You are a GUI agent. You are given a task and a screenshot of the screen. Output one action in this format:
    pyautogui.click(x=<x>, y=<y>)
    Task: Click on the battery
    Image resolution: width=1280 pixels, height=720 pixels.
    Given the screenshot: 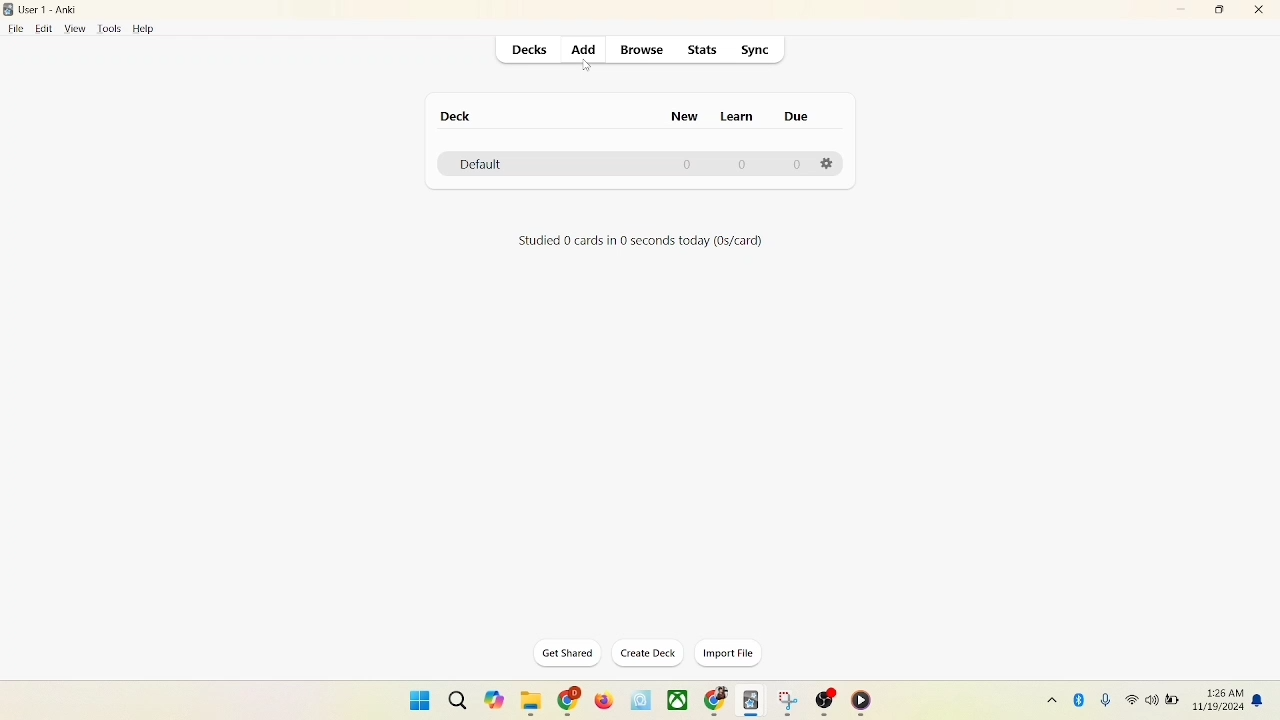 What is the action you would take?
    pyautogui.click(x=1172, y=702)
    